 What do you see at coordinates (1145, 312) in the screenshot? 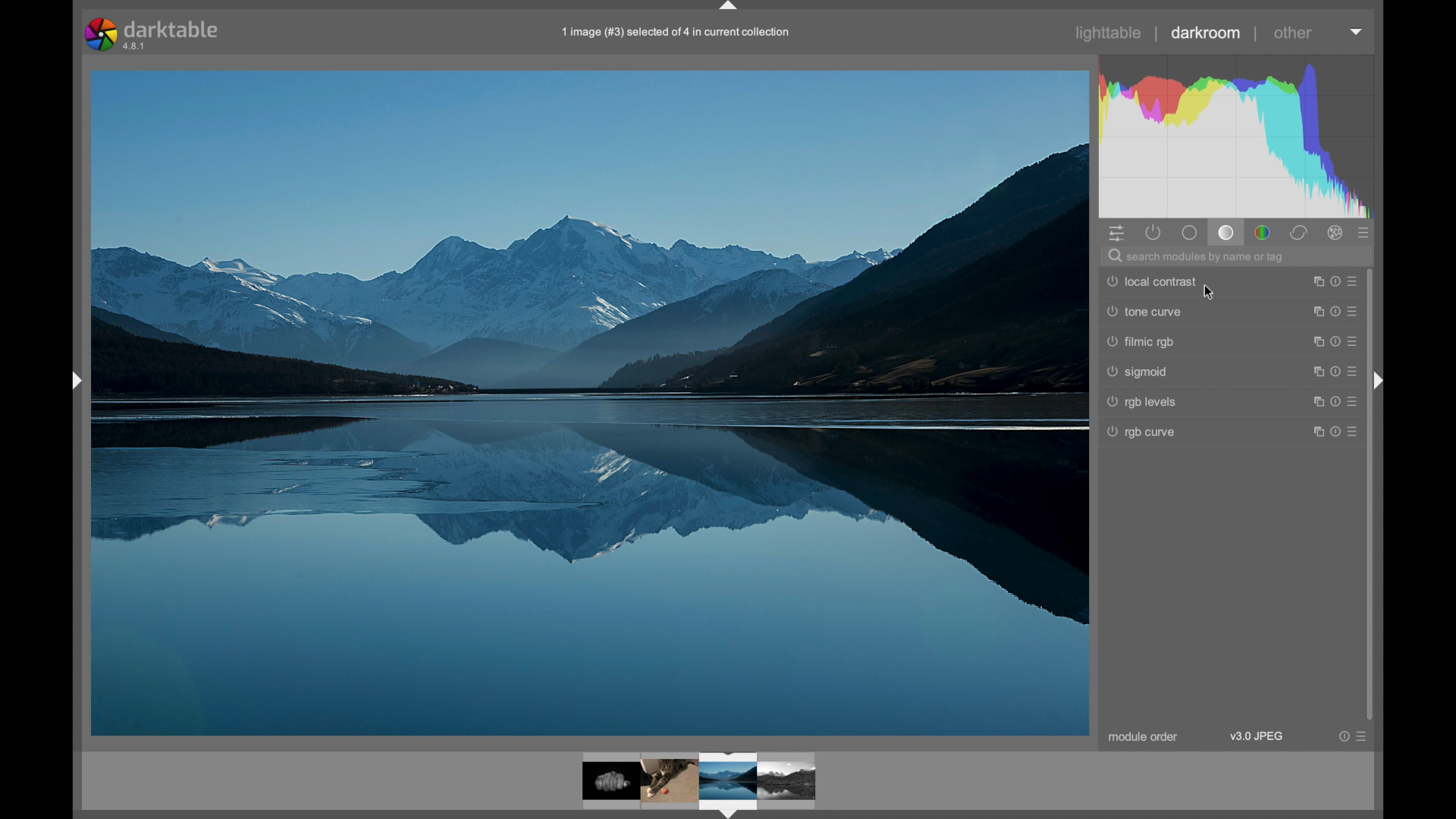
I see `tone curve` at bounding box center [1145, 312].